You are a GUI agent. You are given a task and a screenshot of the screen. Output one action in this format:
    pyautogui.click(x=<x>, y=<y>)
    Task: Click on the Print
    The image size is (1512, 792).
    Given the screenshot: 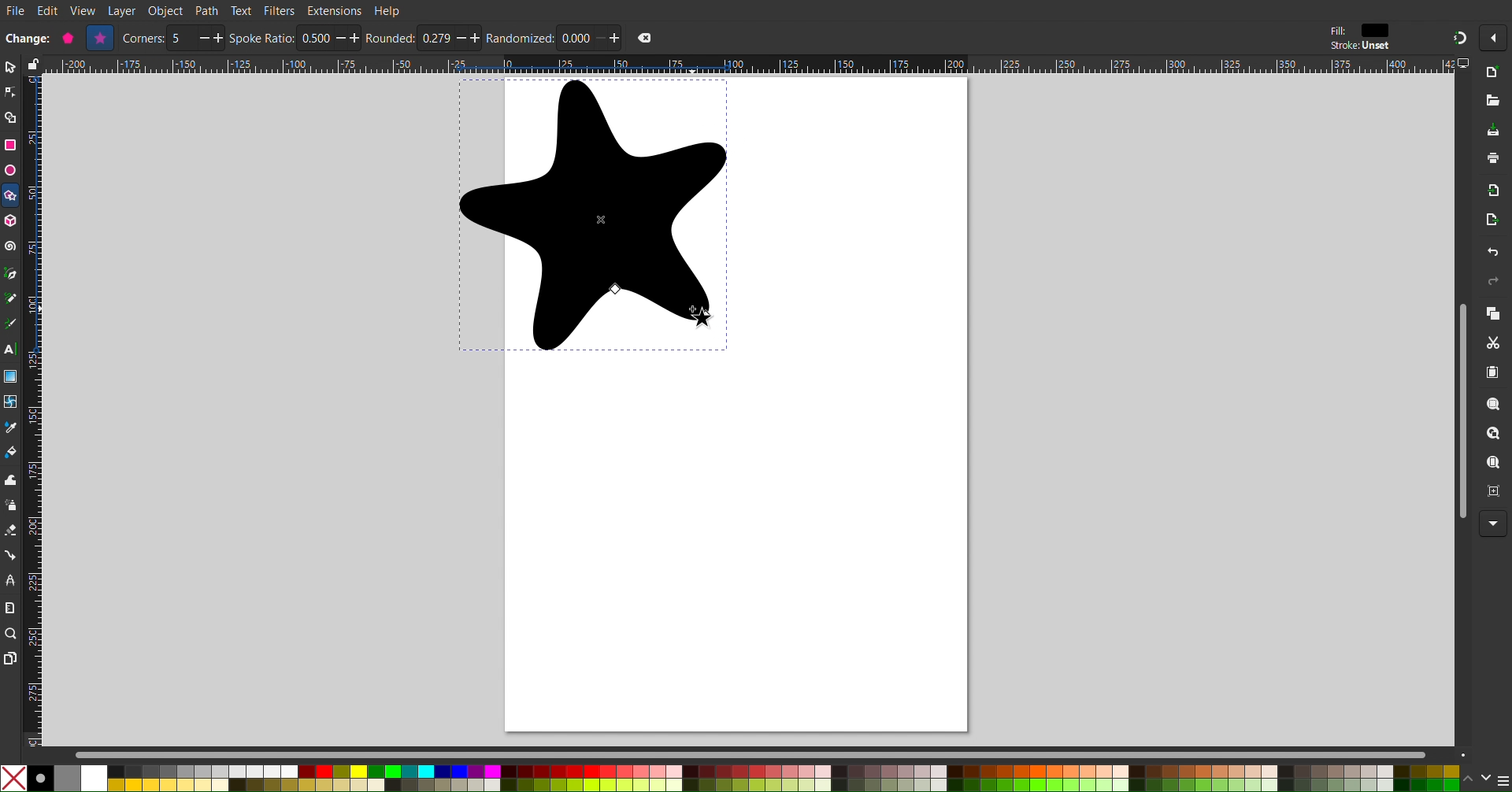 What is the action you would take?
    pyautogui.click(x=1494, y=160)
    